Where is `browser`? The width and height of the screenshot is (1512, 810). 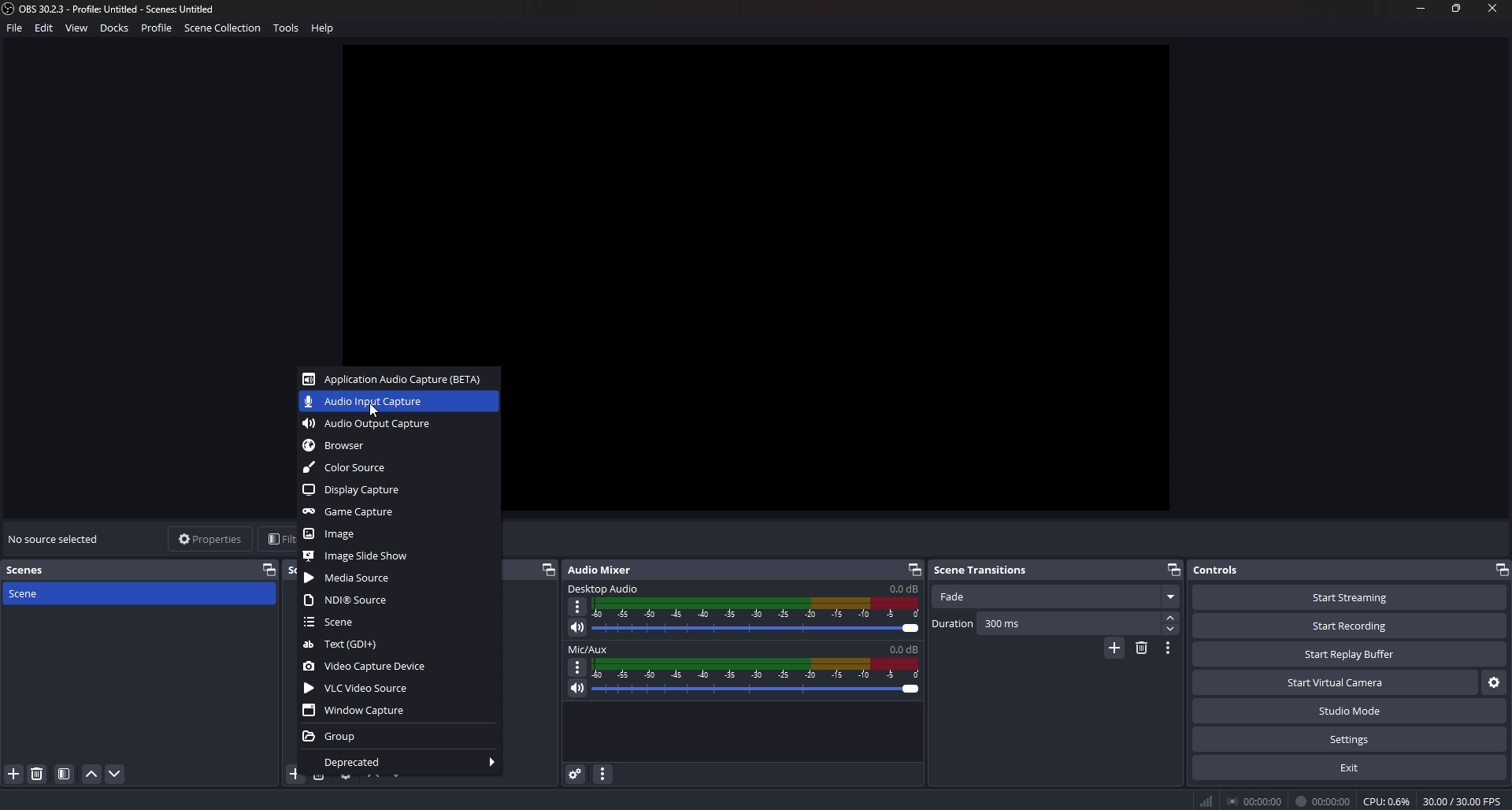
browser is located at coordinates (395, 445).